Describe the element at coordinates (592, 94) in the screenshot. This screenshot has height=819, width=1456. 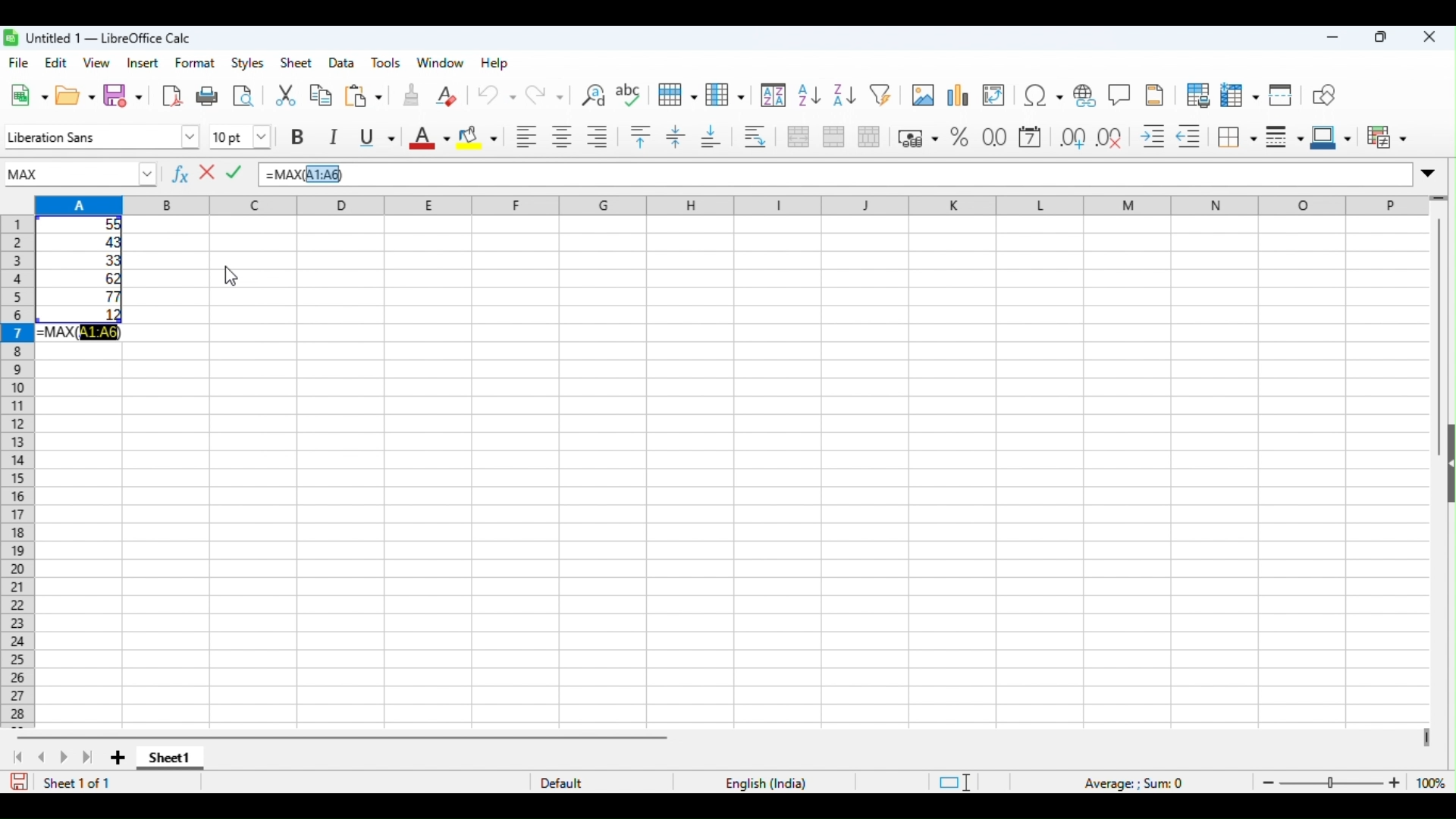
I see `find and replace` at that location.